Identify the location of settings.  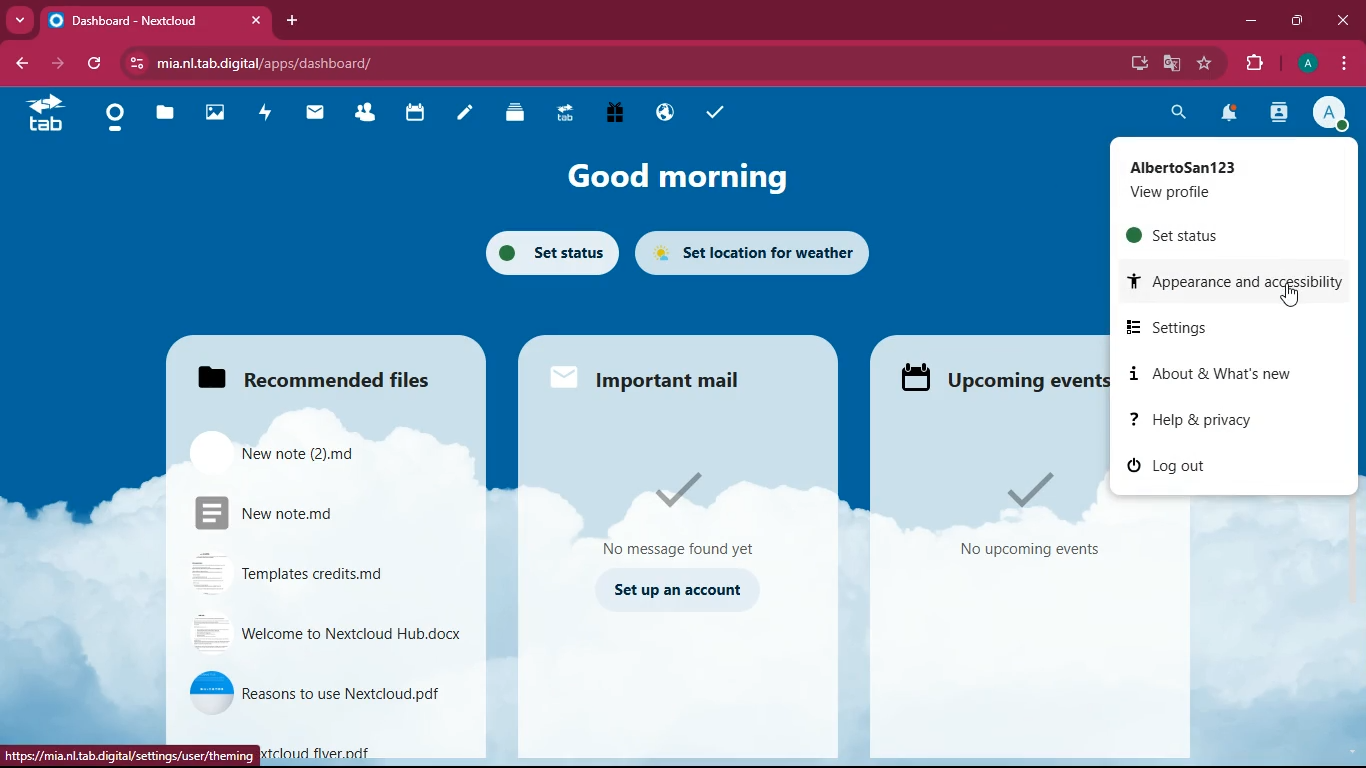
(1223, 329).